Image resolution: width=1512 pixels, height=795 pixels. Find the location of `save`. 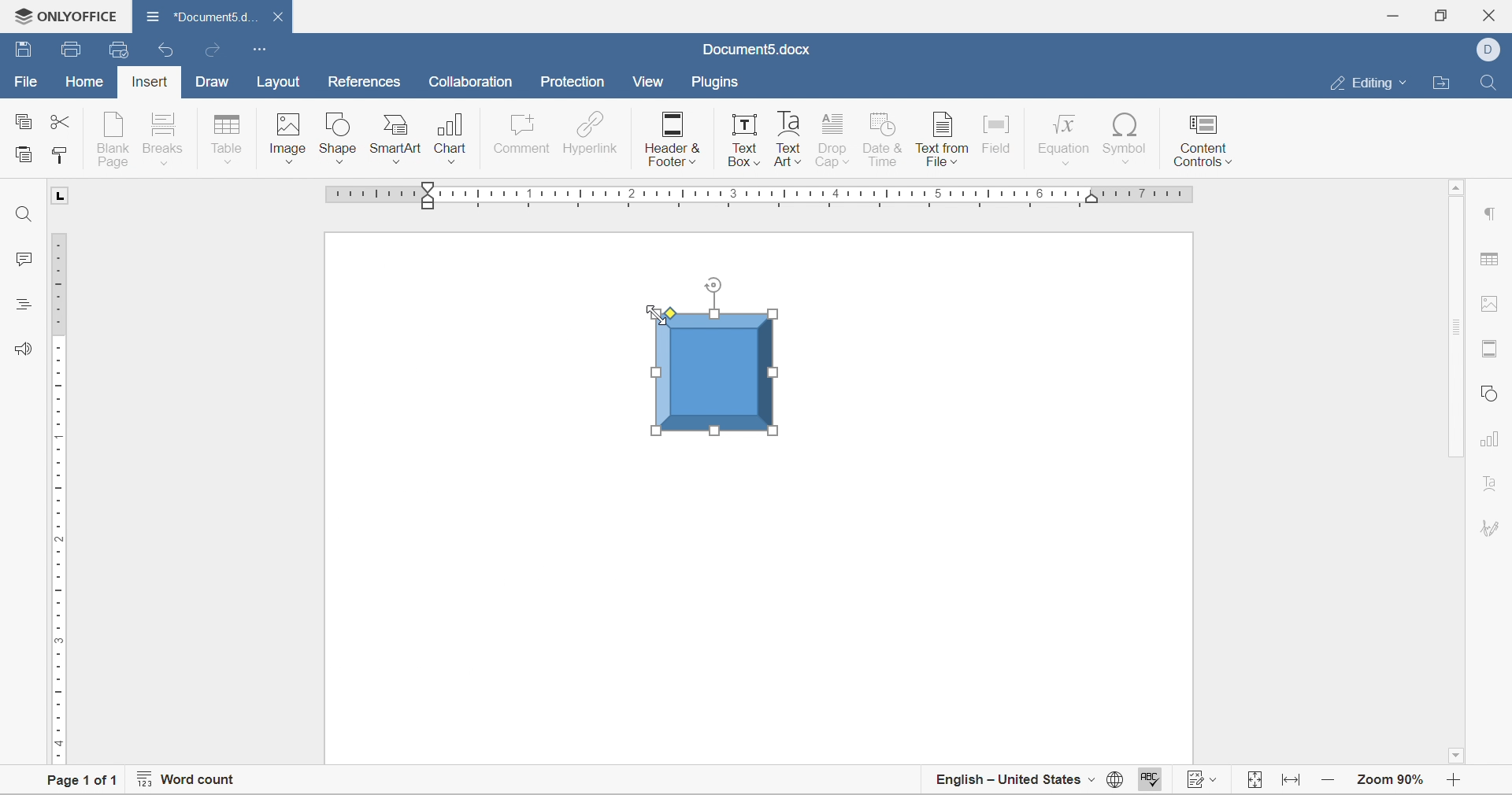

save is located at coordinates (72, 49).